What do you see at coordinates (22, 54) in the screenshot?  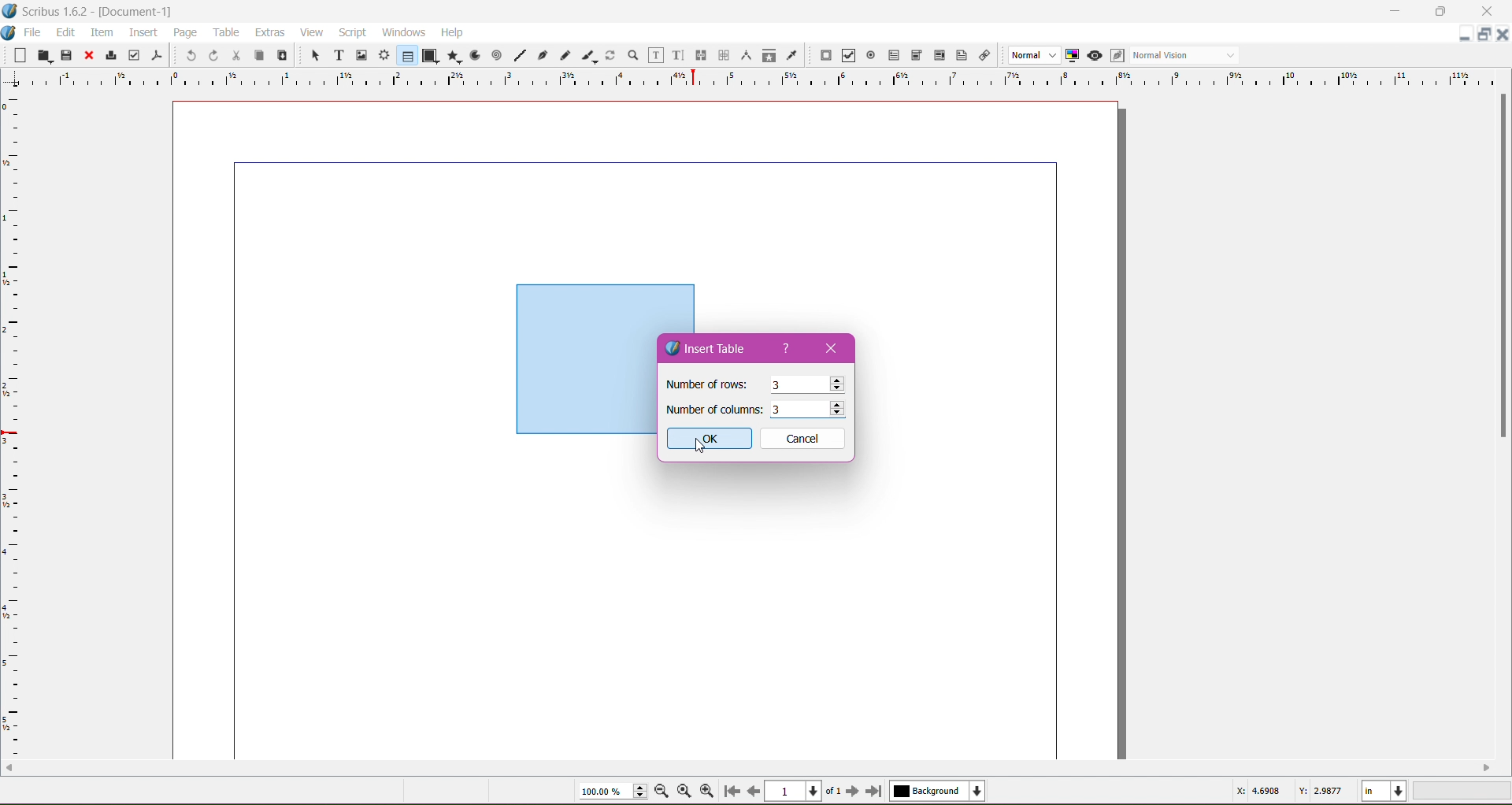 I see `New` at bounding box center [22, 54].